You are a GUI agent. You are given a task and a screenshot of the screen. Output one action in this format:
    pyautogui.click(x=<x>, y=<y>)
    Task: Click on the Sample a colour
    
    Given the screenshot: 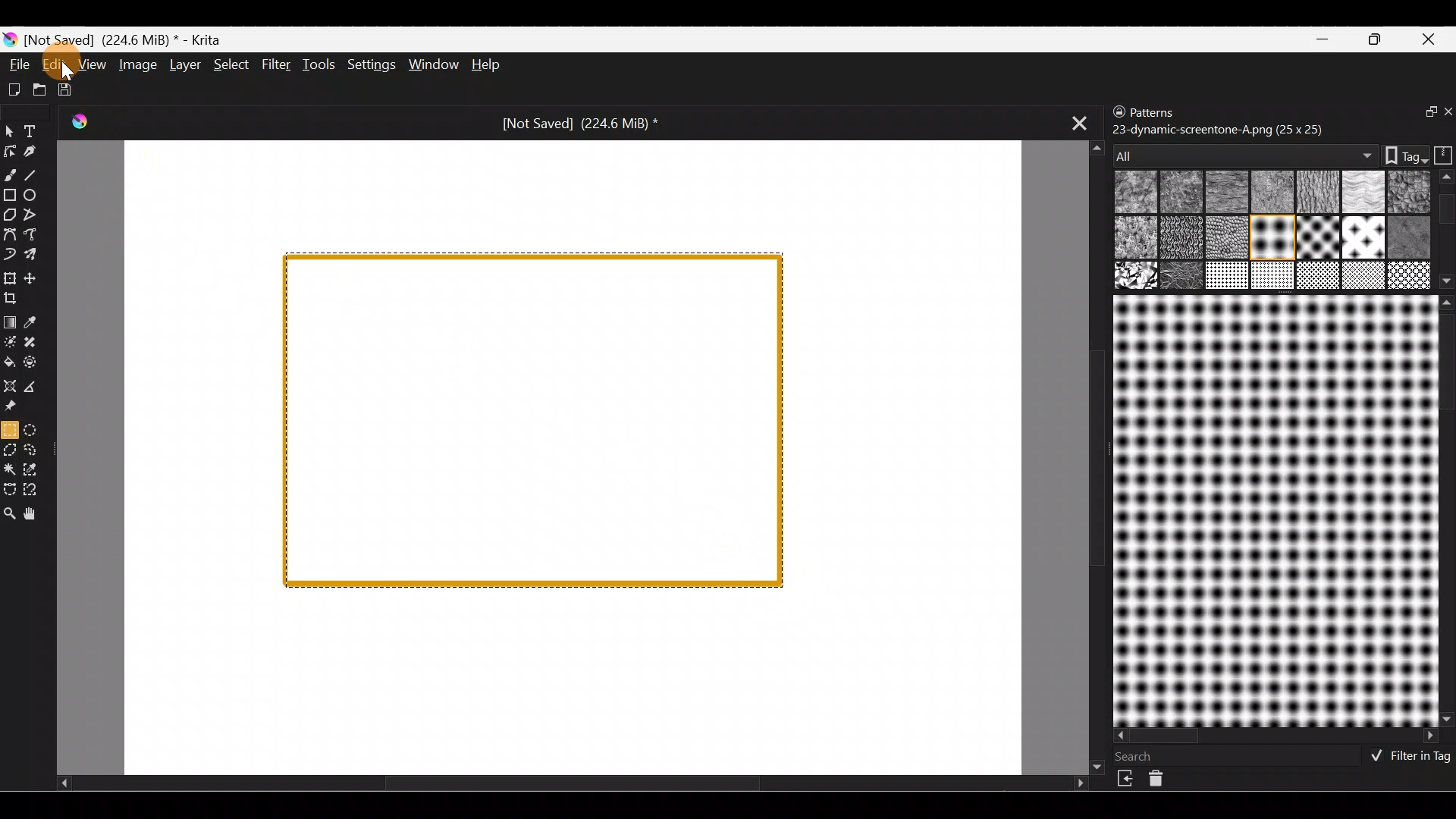 What is the action you would take?
    pyautogui.click(x=39, y=322)
    